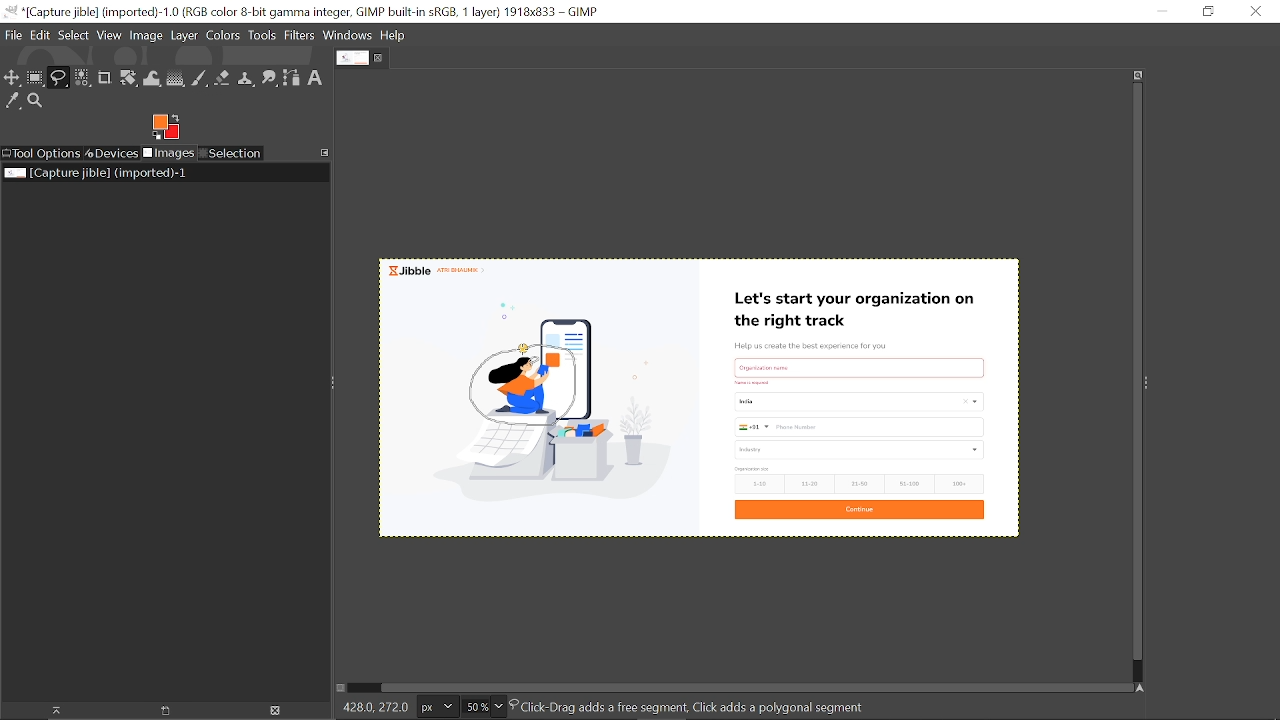 The width and height of the screenshot is (1280, 720). I want to click on Access this tab, so click(326, 152).